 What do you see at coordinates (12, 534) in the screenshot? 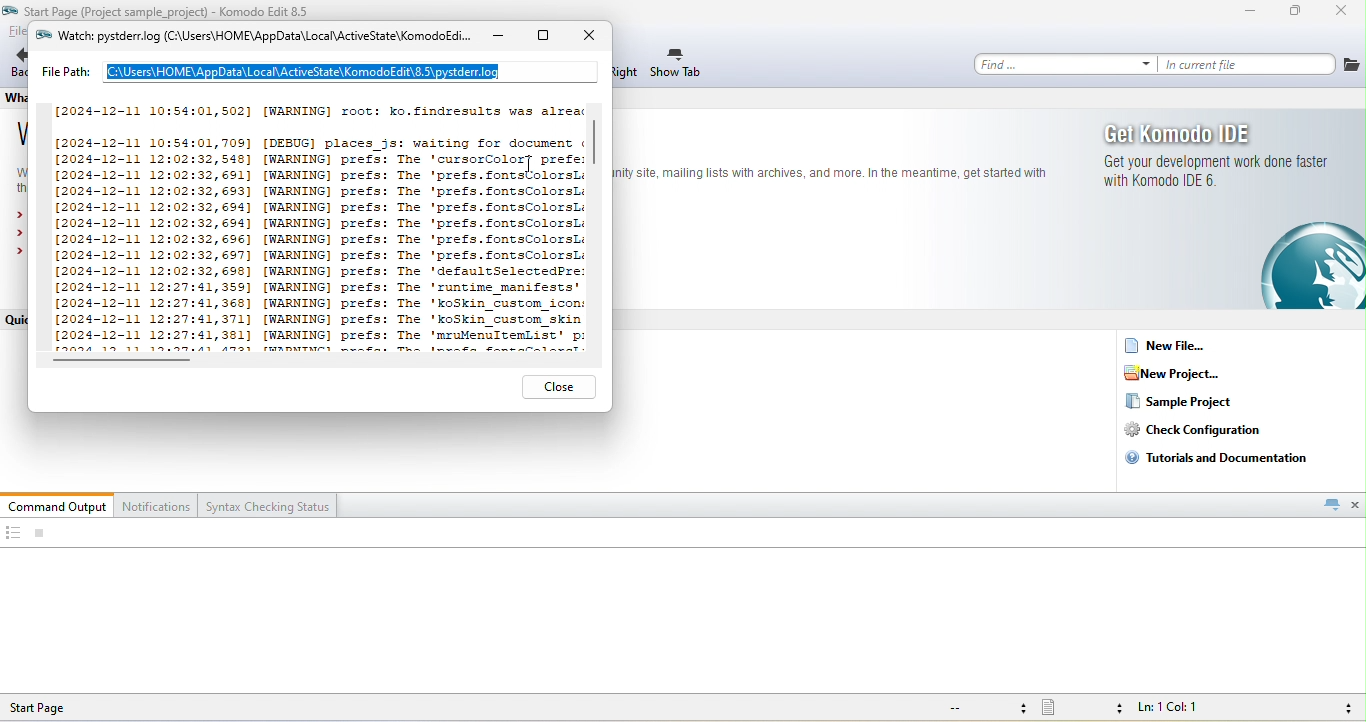
I see `toggle view` at bounding box center [12, 534].